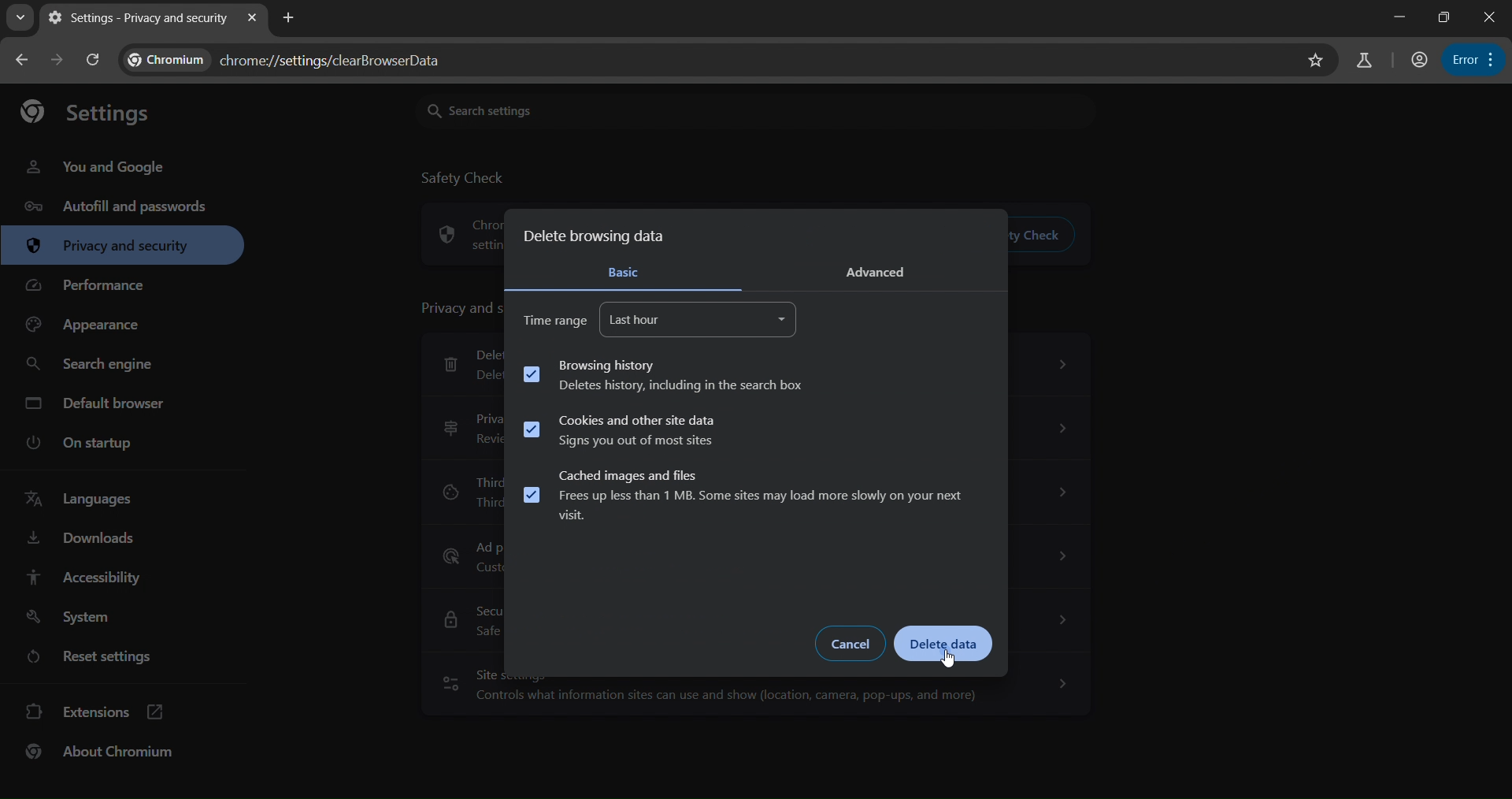 Image resolution: width=1512 pixels, height=799 pixels. Describe the element at coordinates (628, 270) in the screenshot. I see `basic` at that location.